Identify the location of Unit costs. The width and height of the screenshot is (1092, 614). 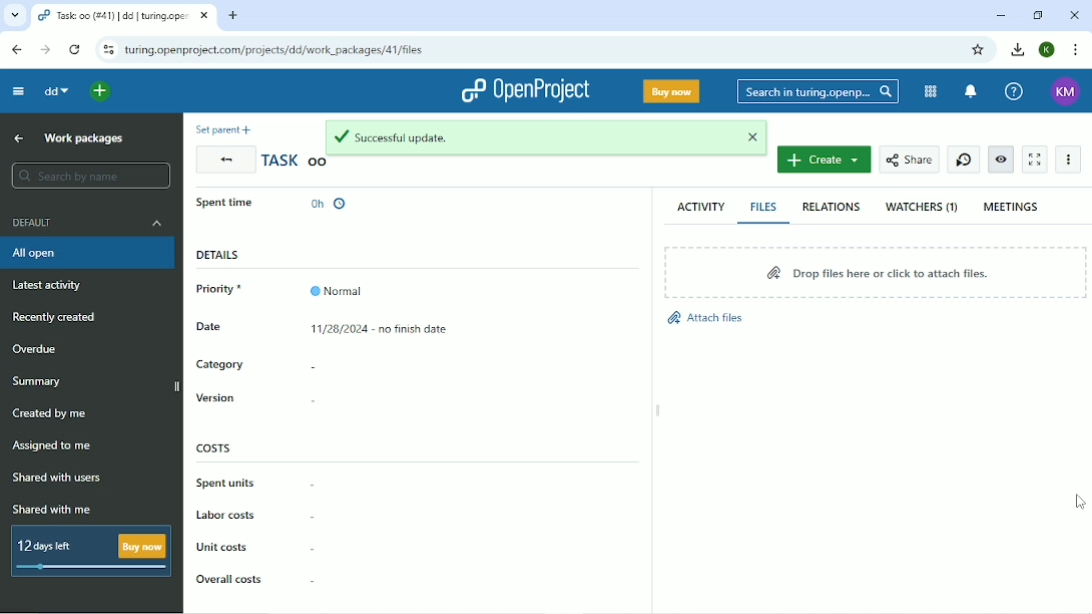
(223, 546).